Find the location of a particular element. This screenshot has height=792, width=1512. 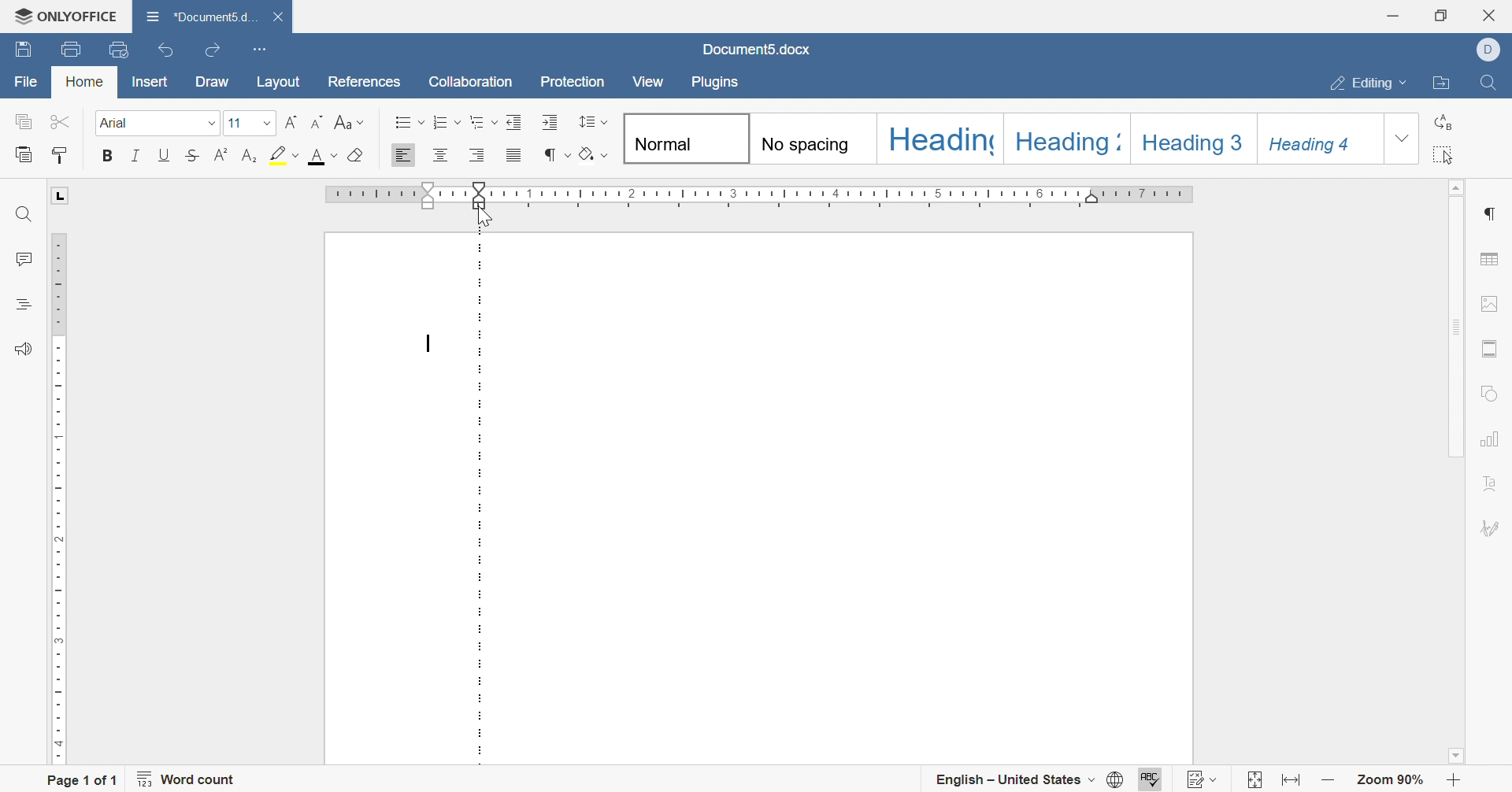

copy is located at coordinates (23, 121).